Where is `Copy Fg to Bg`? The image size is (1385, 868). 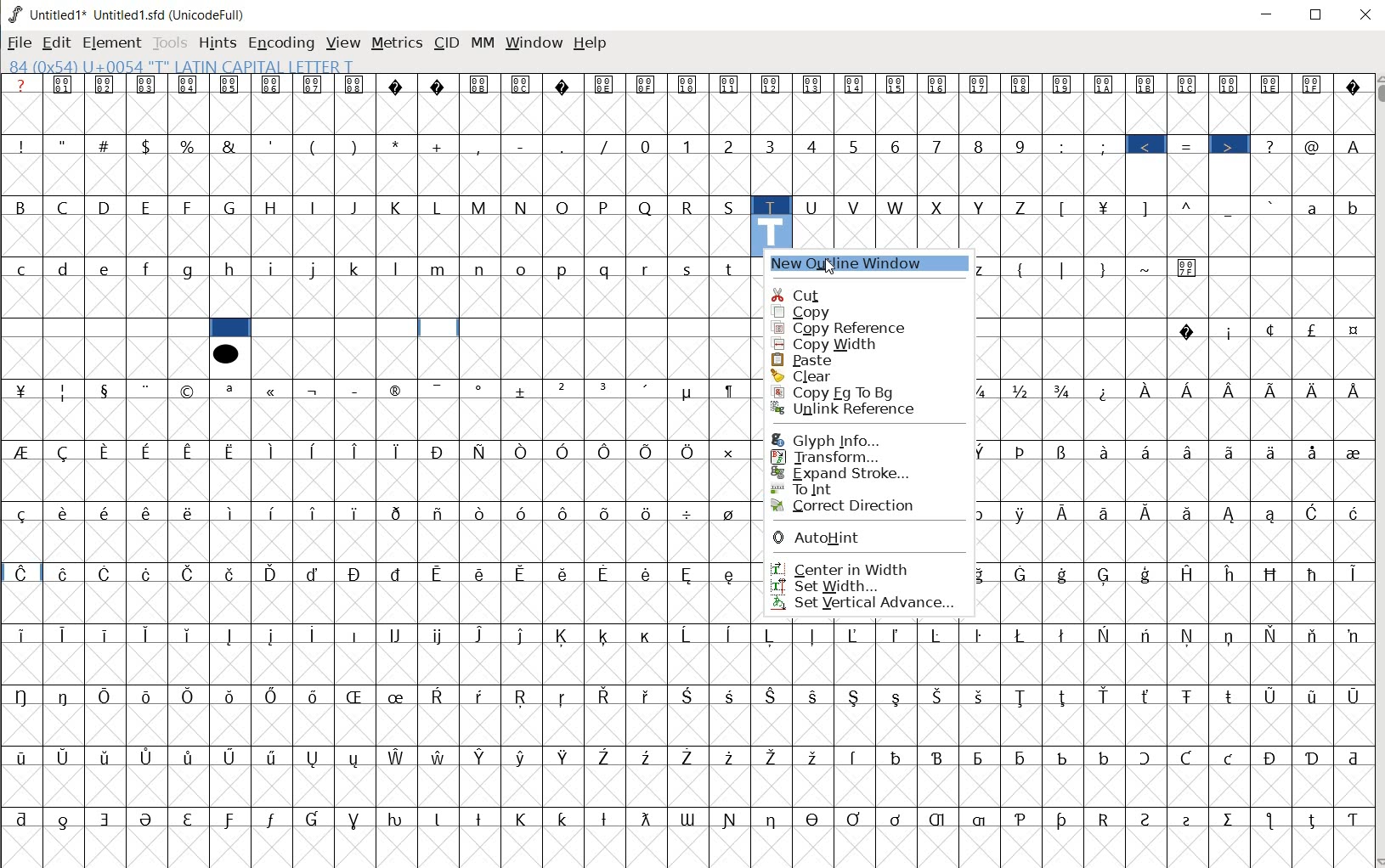
Copy Fg to Bg is located at coordinates (845, 392).